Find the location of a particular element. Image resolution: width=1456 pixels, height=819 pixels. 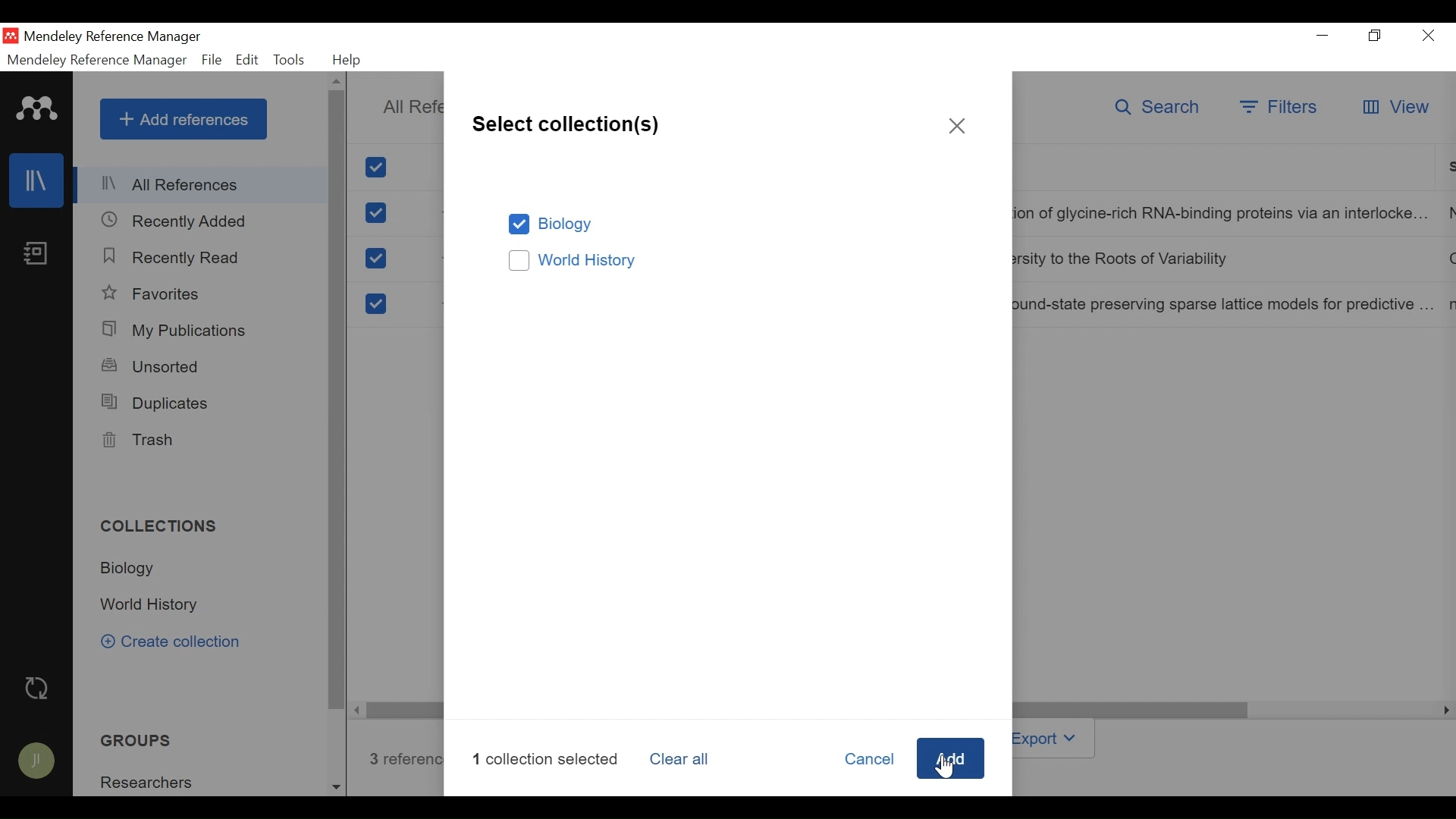

Collection is located at coordinates (165, 528).